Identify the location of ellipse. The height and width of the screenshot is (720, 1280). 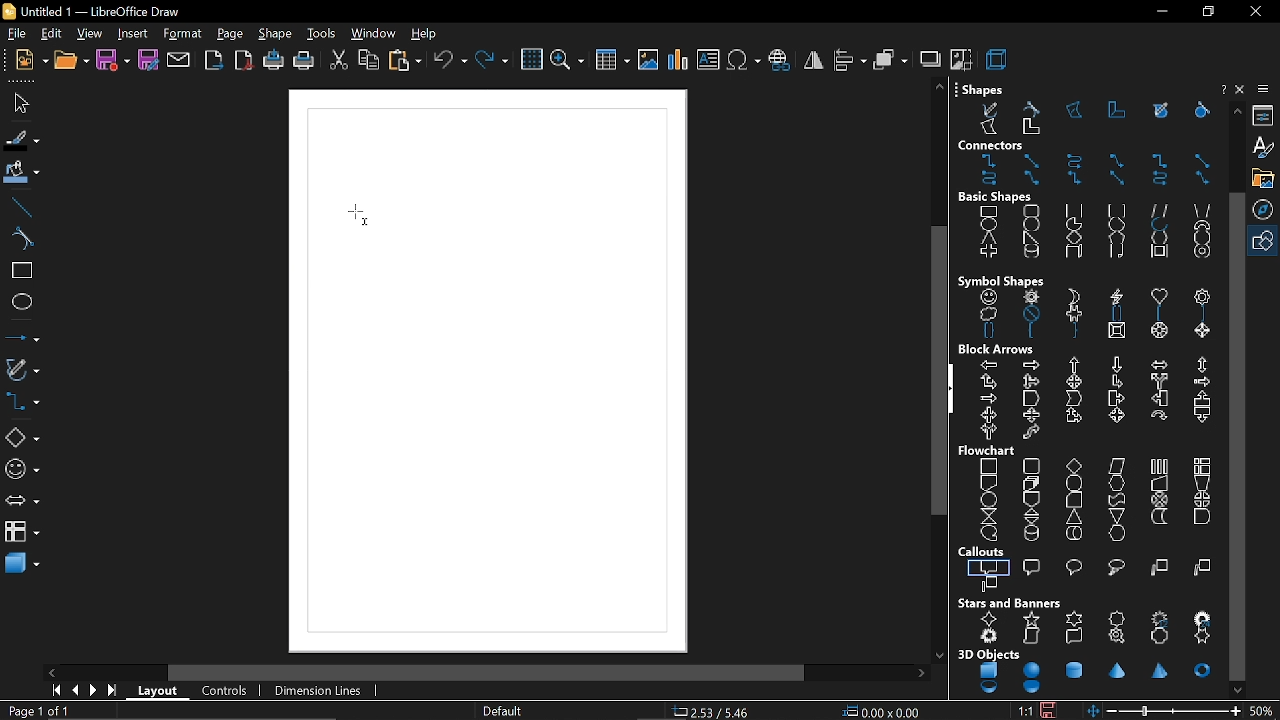
(20, 301).